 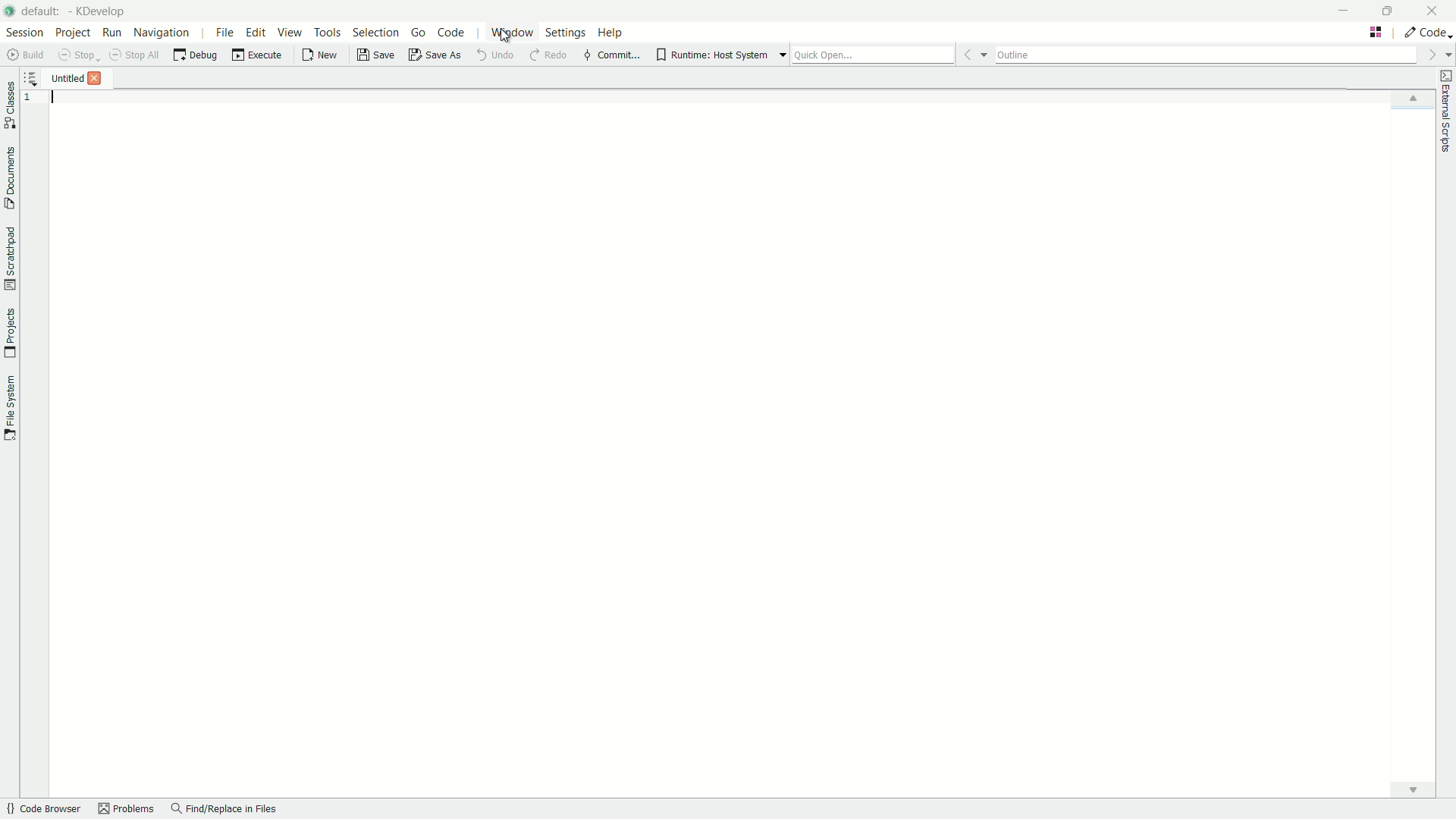 What do you see at coordinates (9, 411) in the screenshot?
I see `toggle file system` at bounding box center [9, 411].